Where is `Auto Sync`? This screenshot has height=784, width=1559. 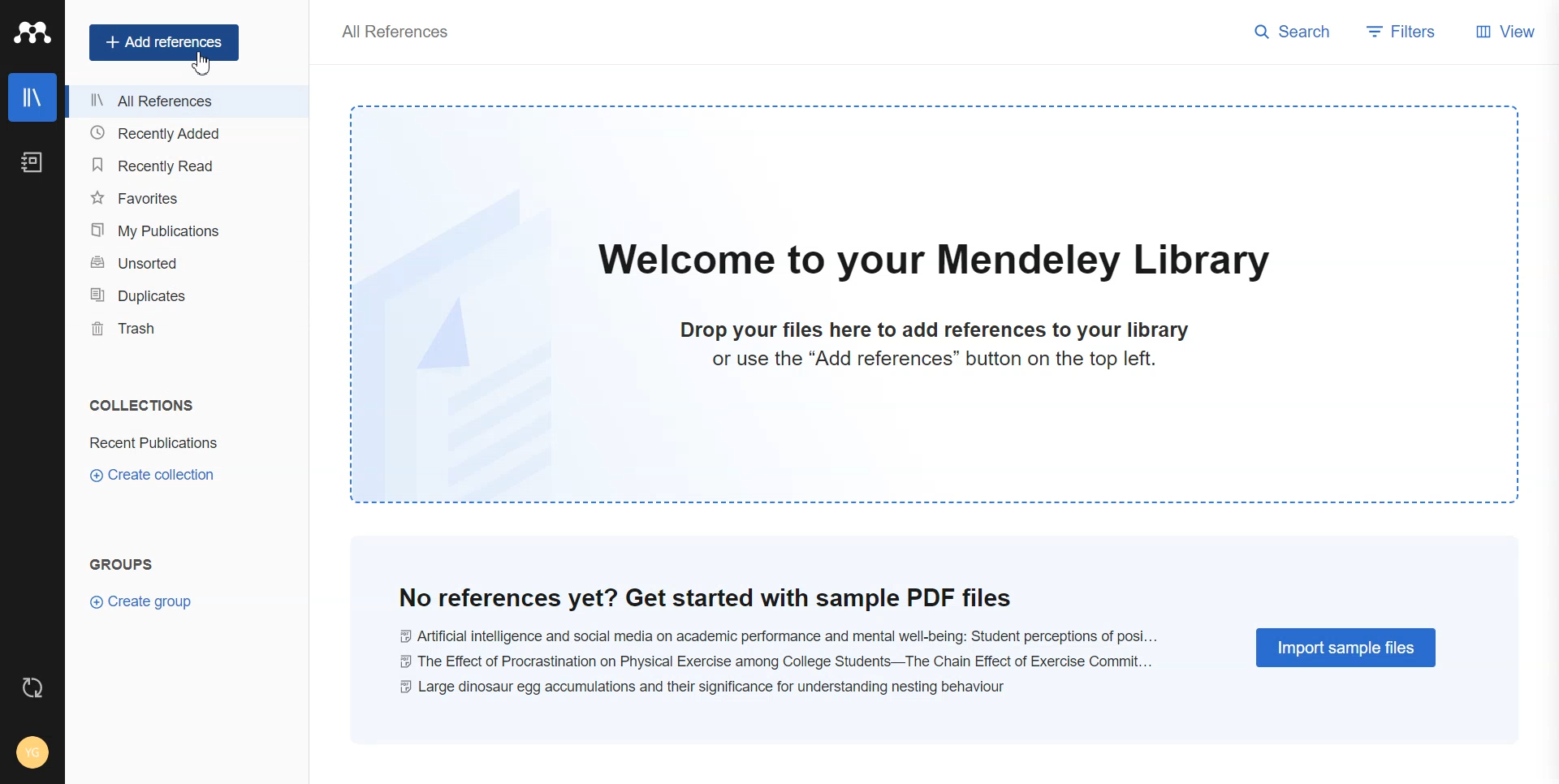
Auto Sync is located at coordinates (30, 687).